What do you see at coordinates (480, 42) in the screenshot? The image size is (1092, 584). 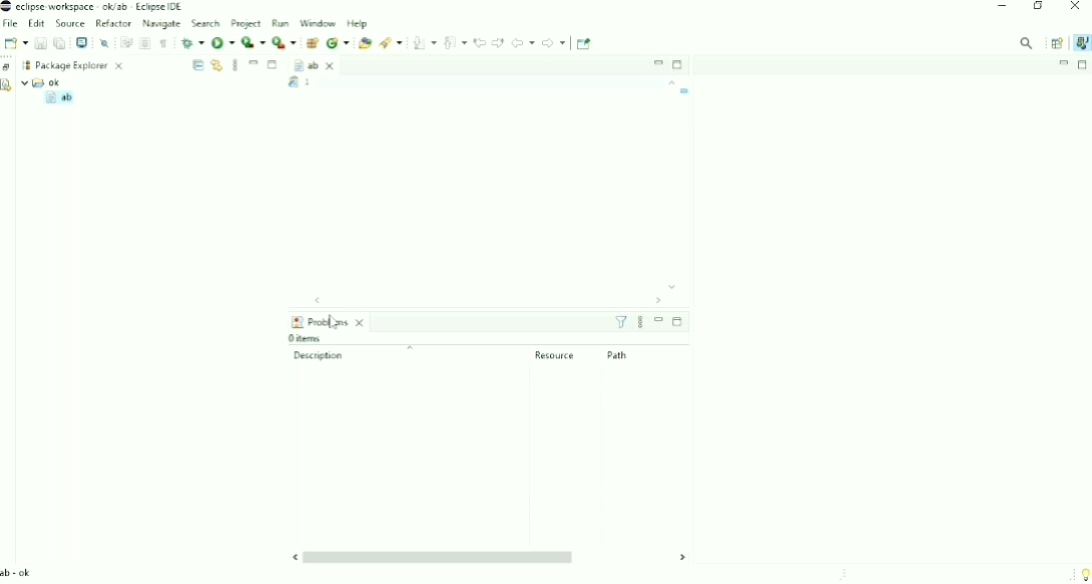 I see `Previous Edit Location` at bounding box center [480, 42].